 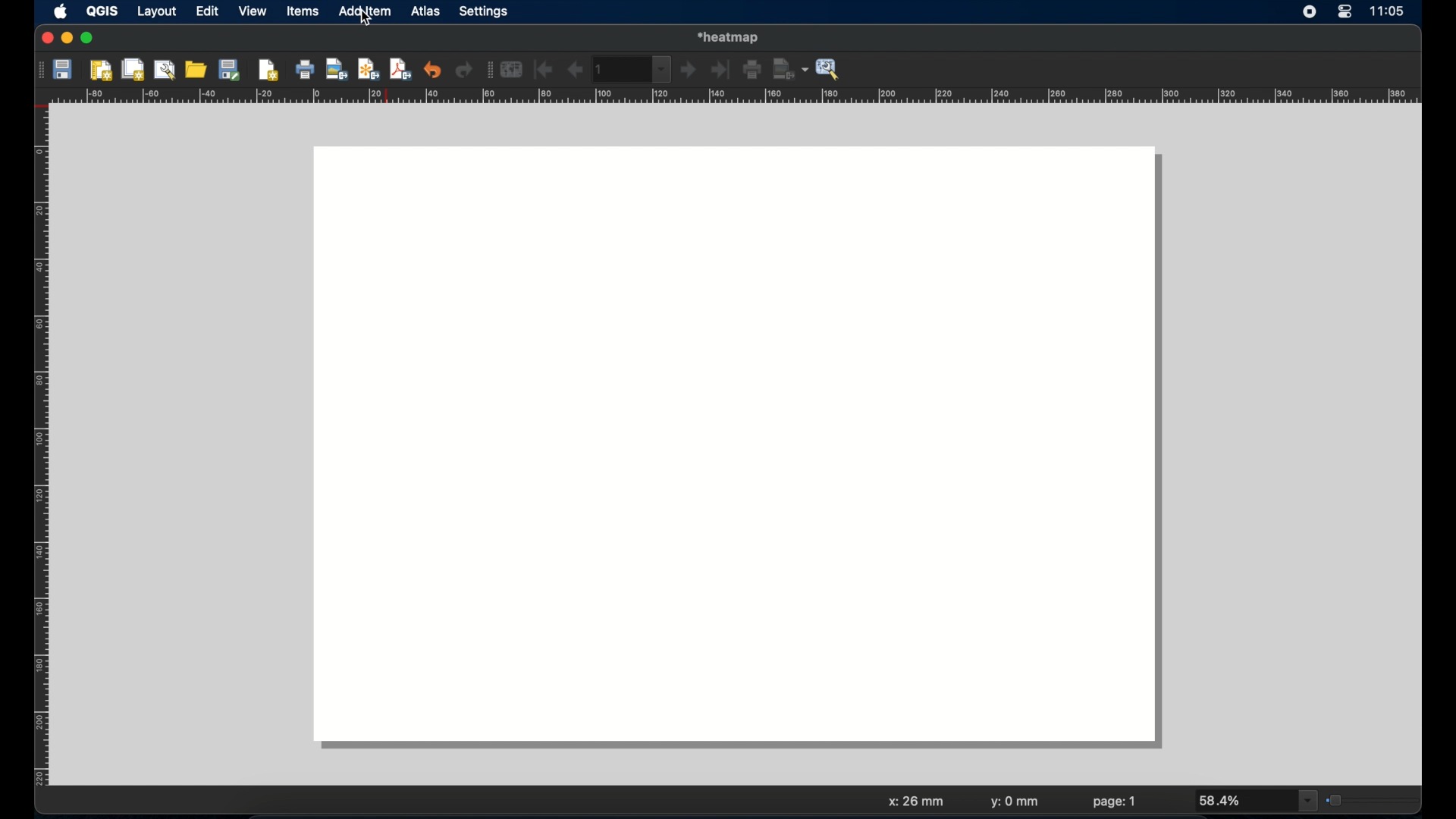 I want to click on preview atlas, so click(x=513, y=70).